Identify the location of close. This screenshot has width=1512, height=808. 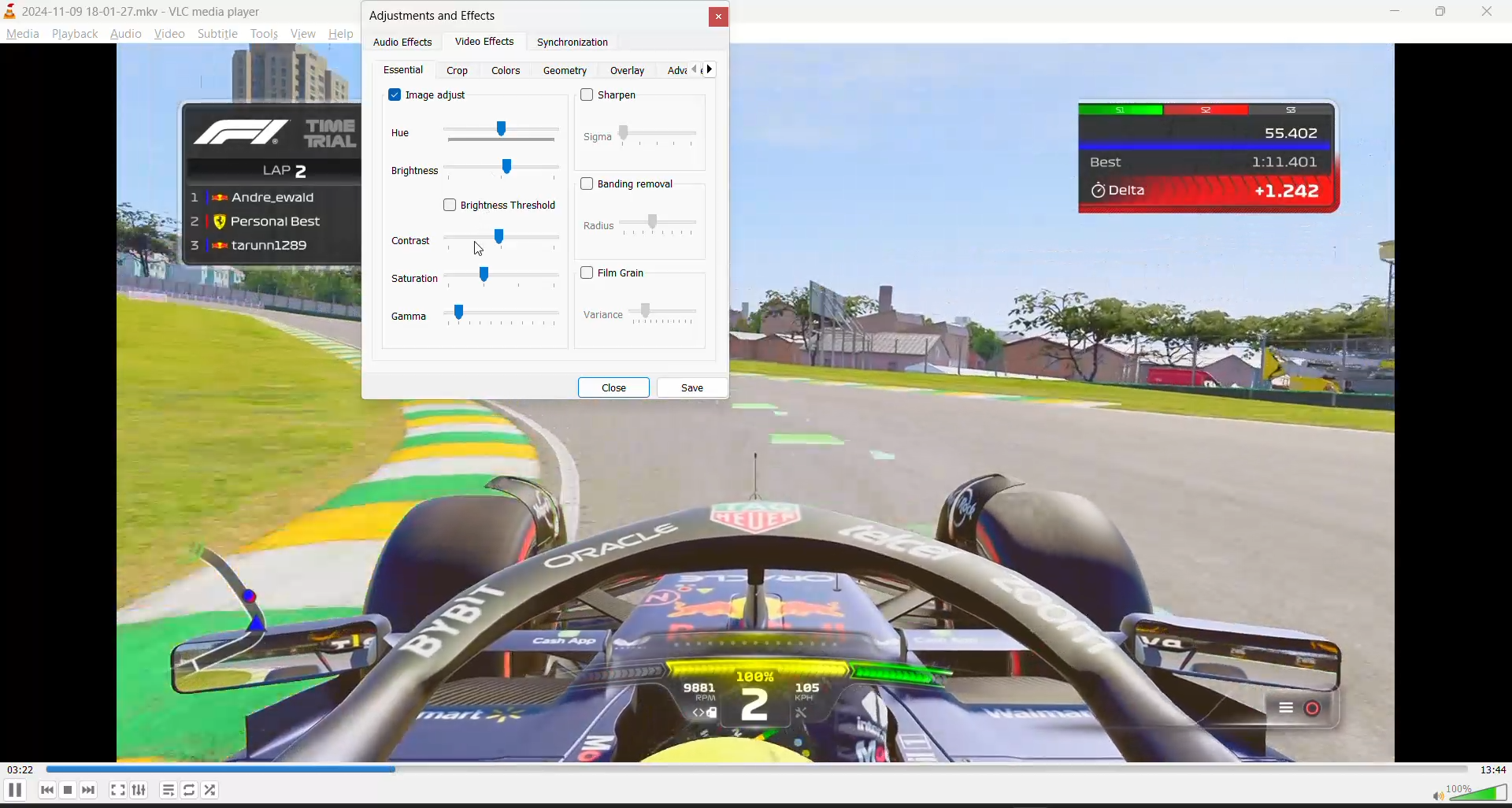
(1487, 12).